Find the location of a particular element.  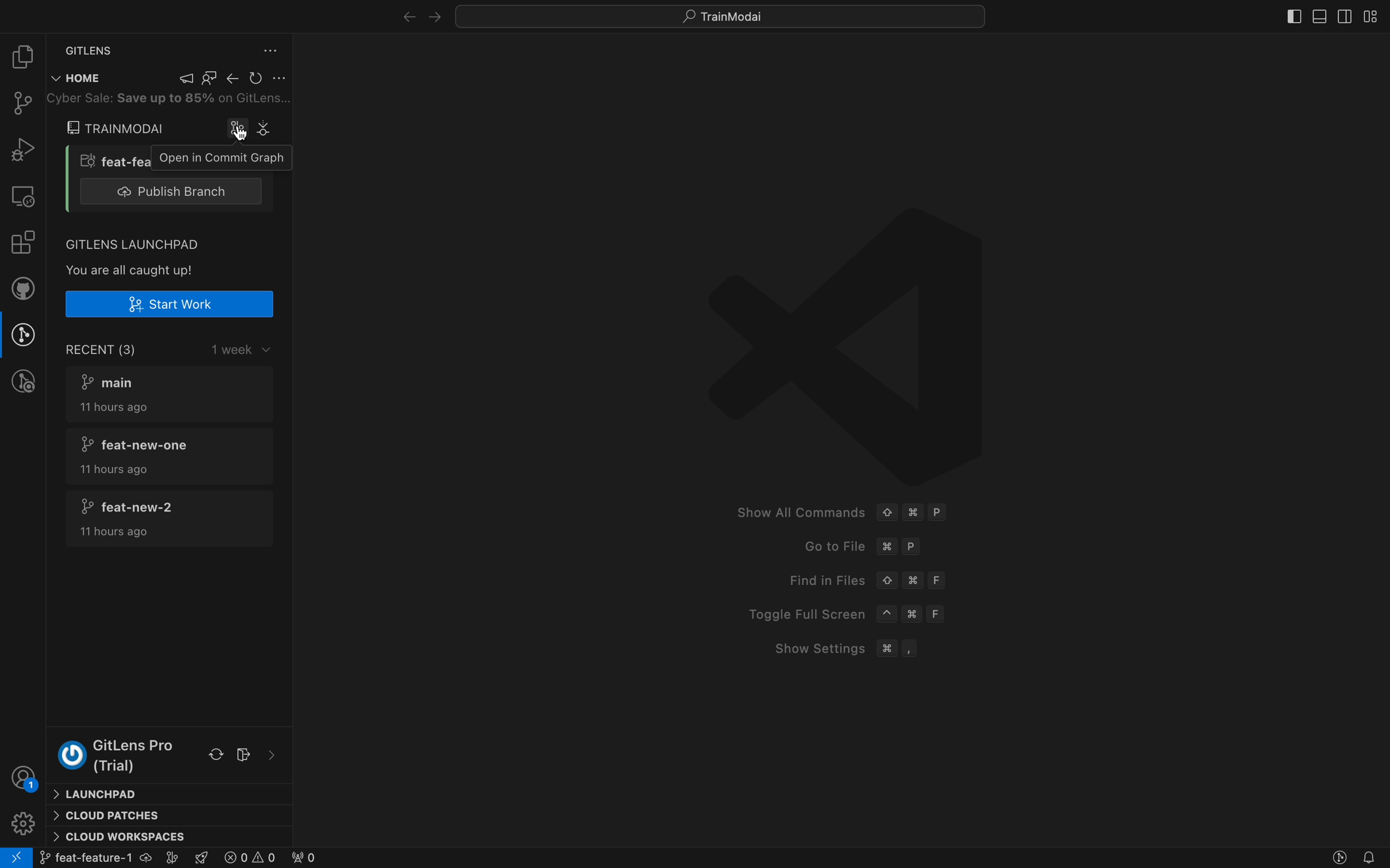

 is located at coordinates (210, 77).